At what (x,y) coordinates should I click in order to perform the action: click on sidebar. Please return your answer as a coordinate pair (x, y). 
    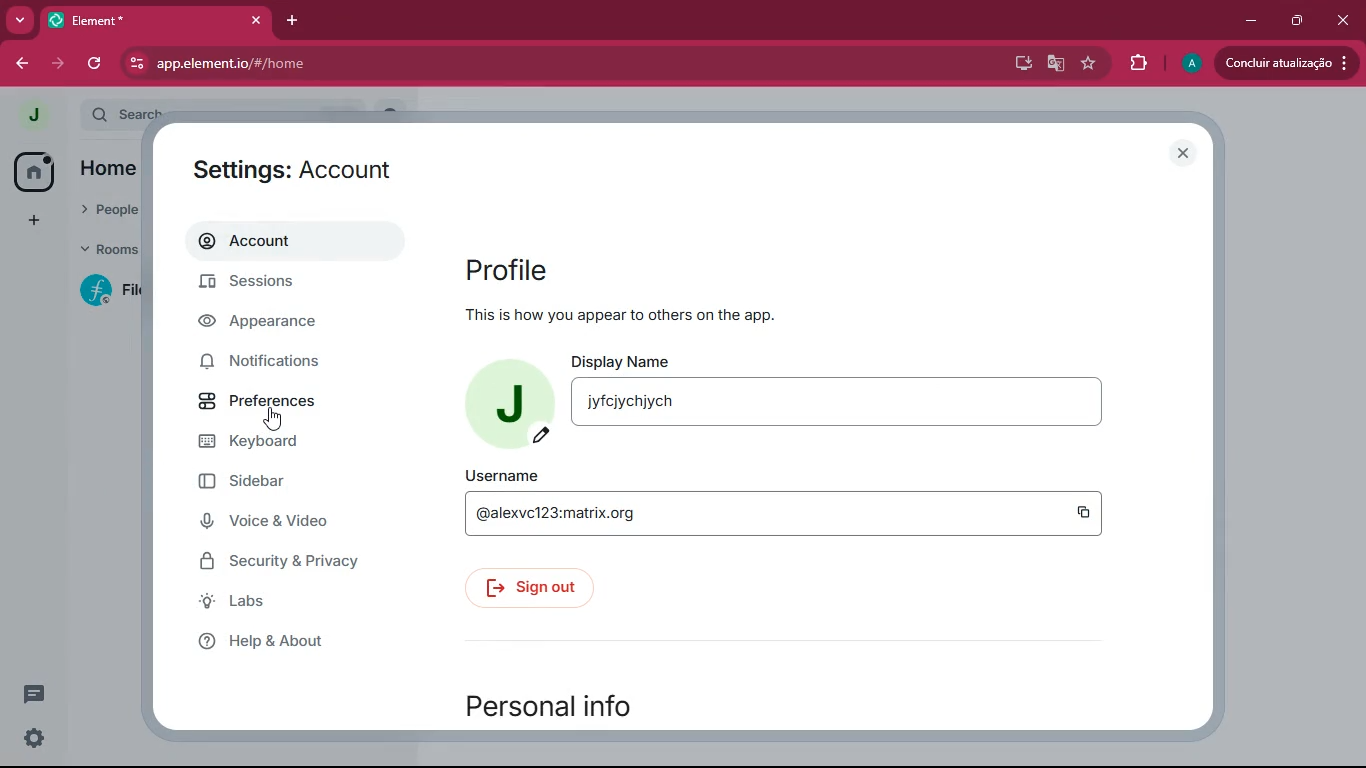
    Looking at the image, I should click on (278, 482).